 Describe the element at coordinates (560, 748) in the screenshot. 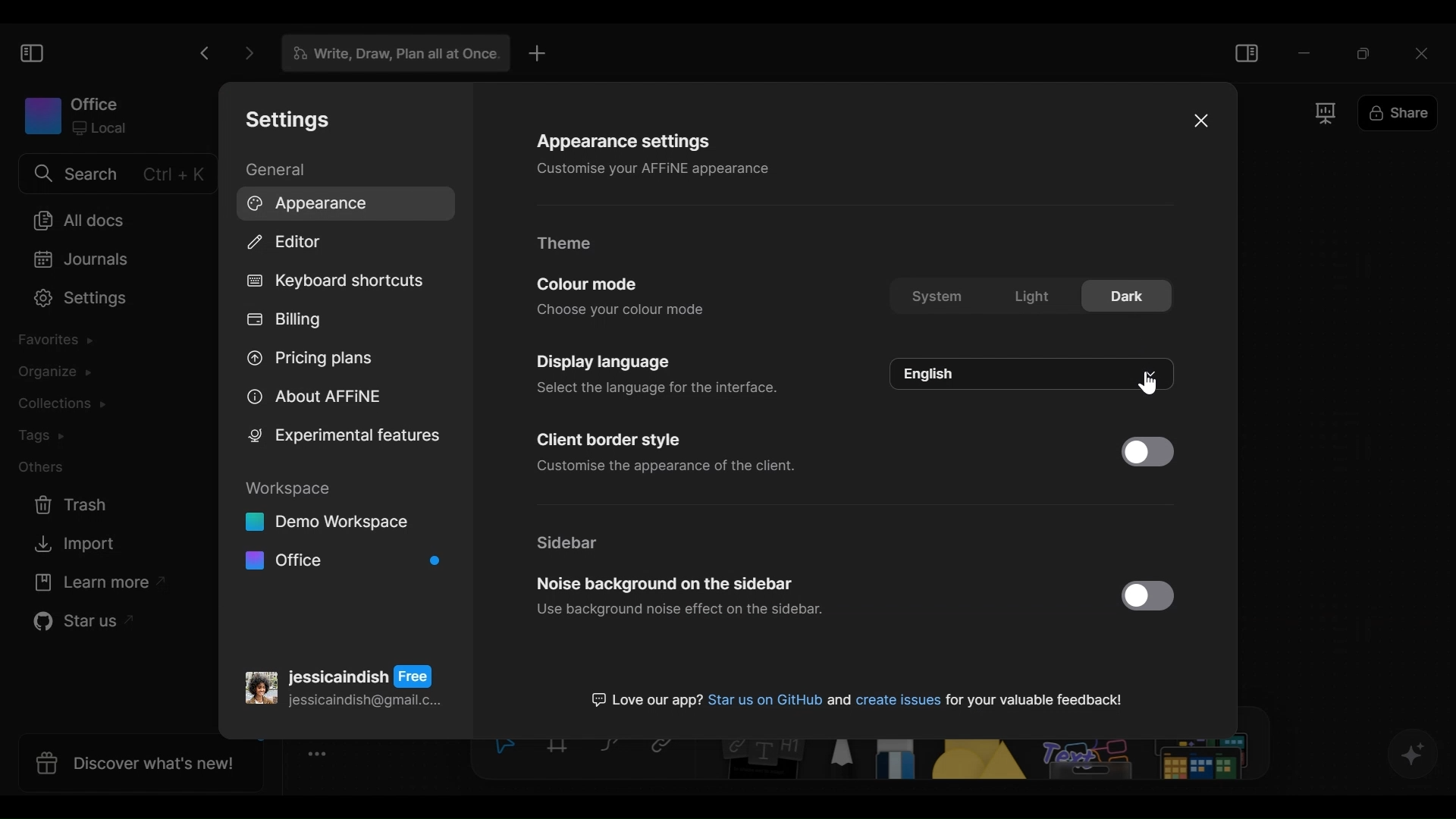

I see `Frame` at that location.